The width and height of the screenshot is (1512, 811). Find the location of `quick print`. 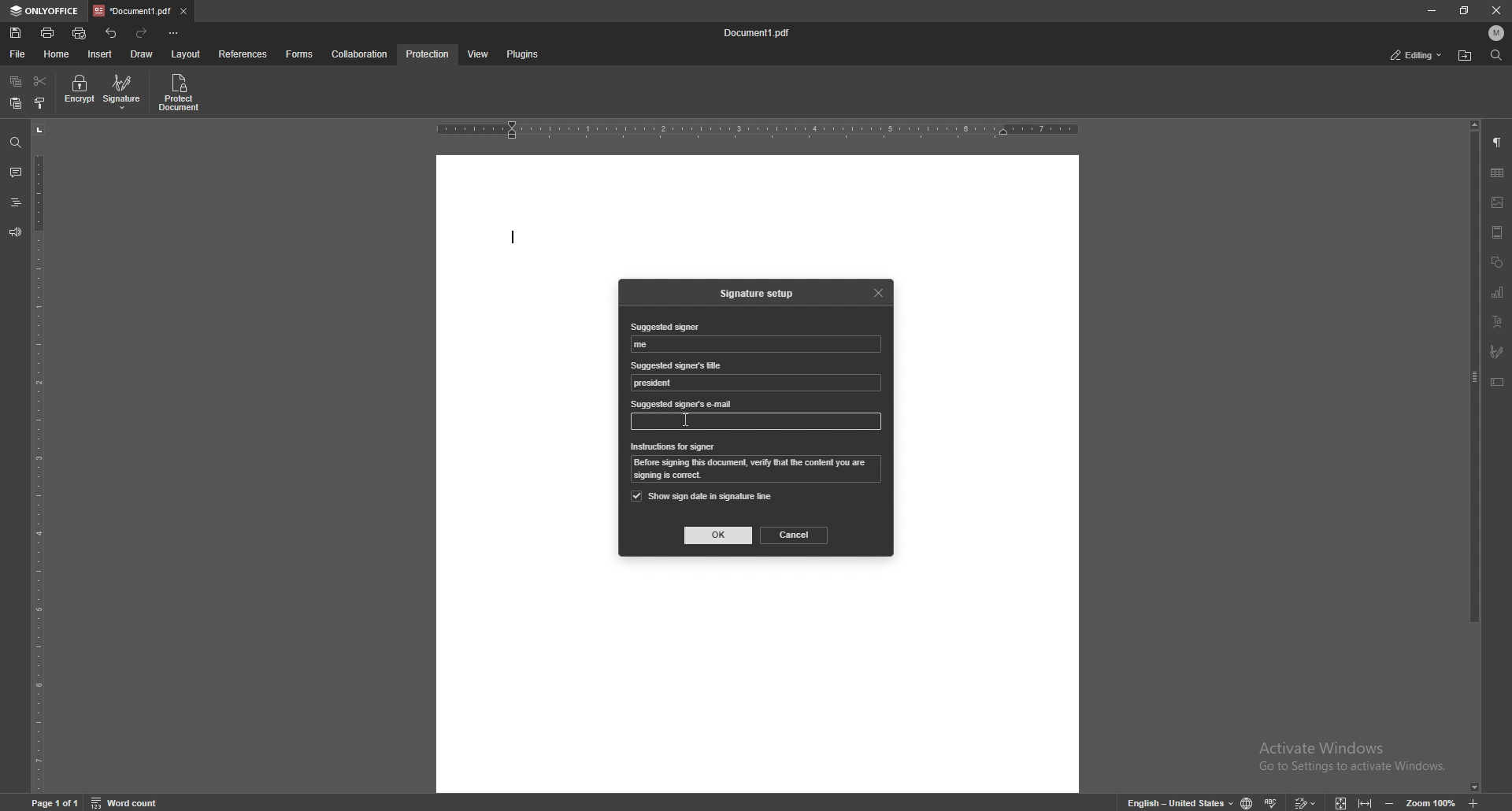

quick print is located at coordinates (80, 35).